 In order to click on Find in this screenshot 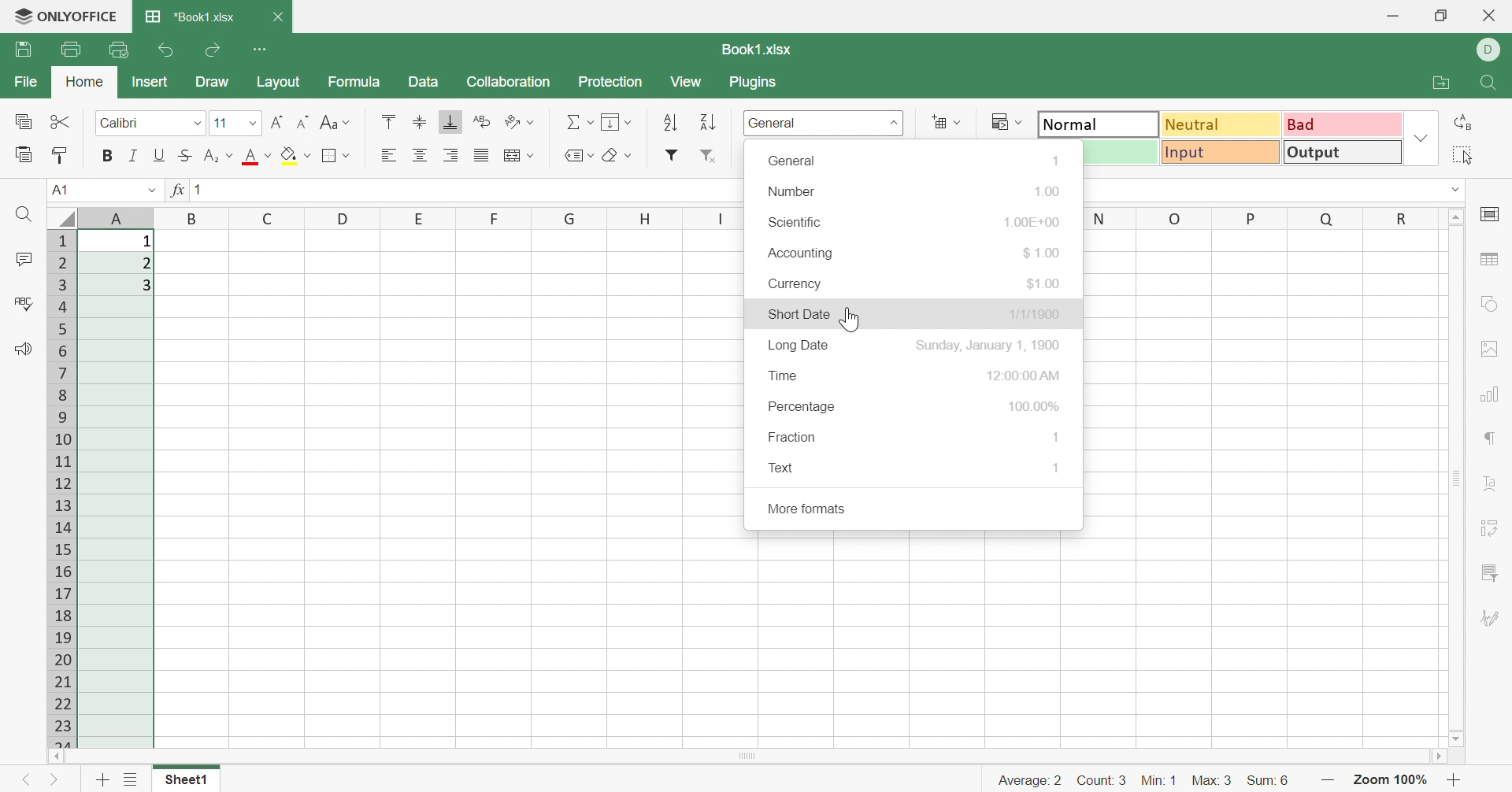, I will do `click(1488, 83)`.